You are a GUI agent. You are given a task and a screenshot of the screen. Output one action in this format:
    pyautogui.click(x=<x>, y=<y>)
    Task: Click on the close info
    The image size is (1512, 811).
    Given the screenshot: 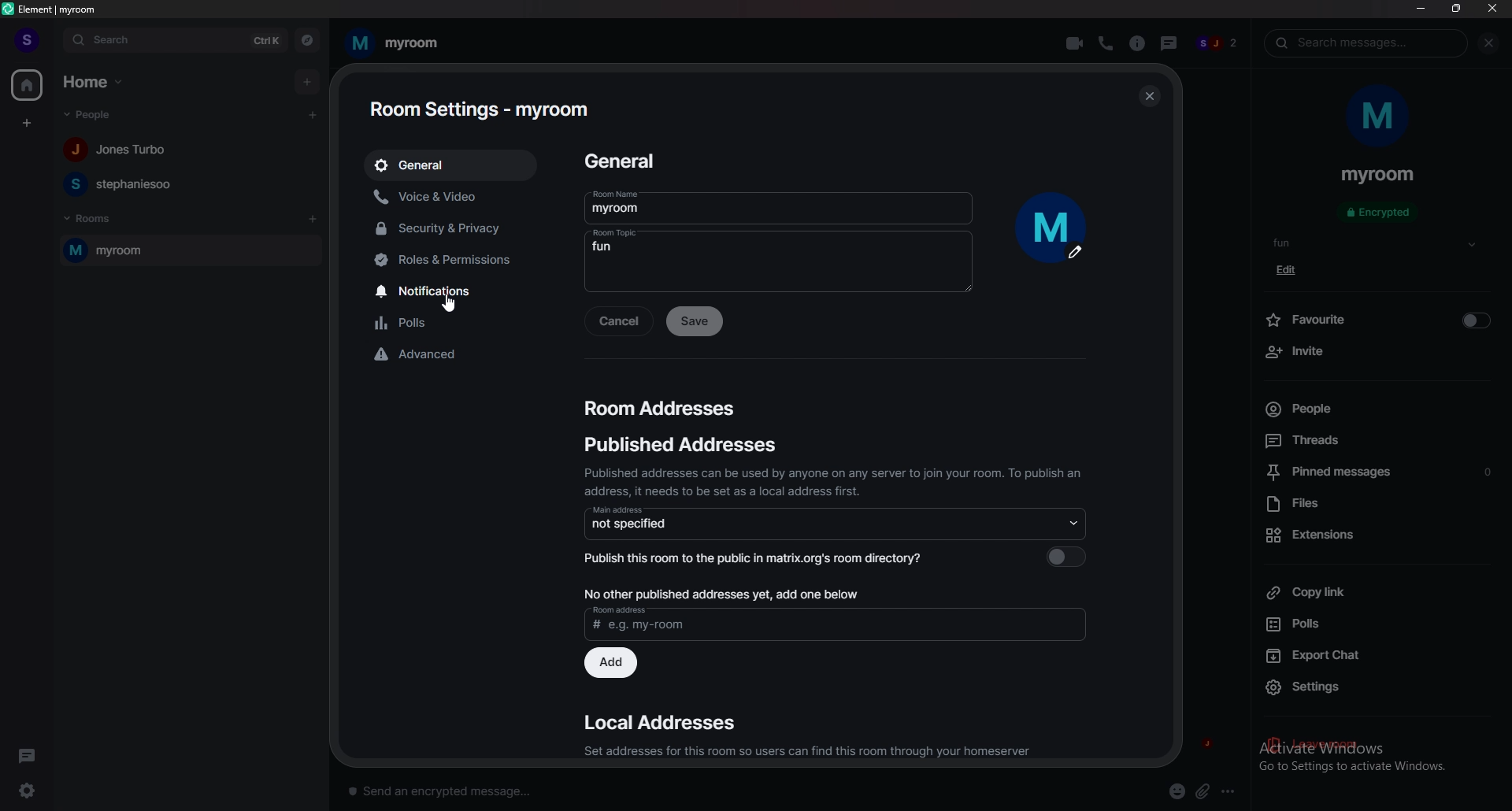 What is the action you would take?
    pyautogui.click(x=1486, y=43)
    